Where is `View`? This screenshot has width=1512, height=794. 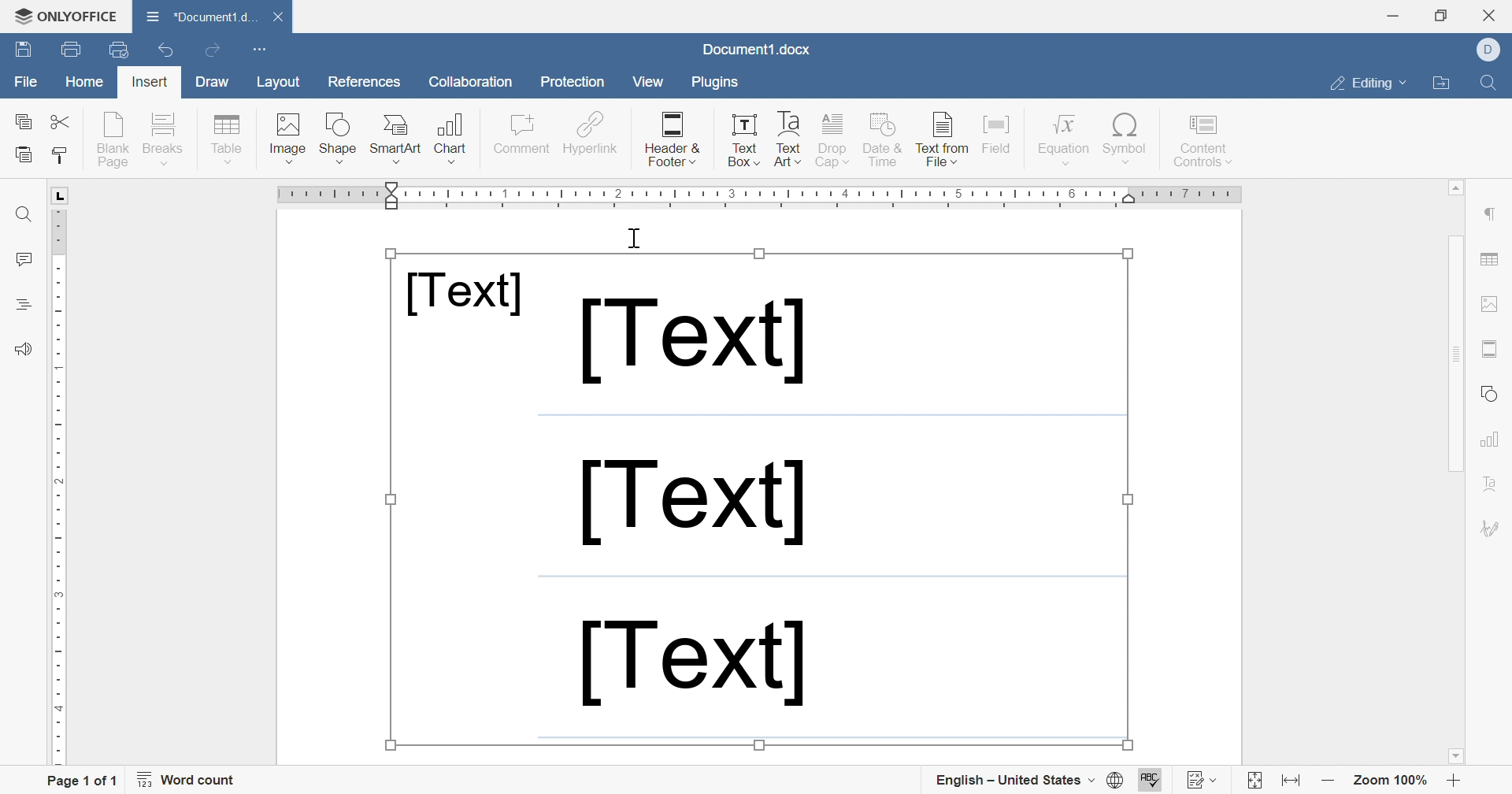
View is located at coordinates (647, 83).